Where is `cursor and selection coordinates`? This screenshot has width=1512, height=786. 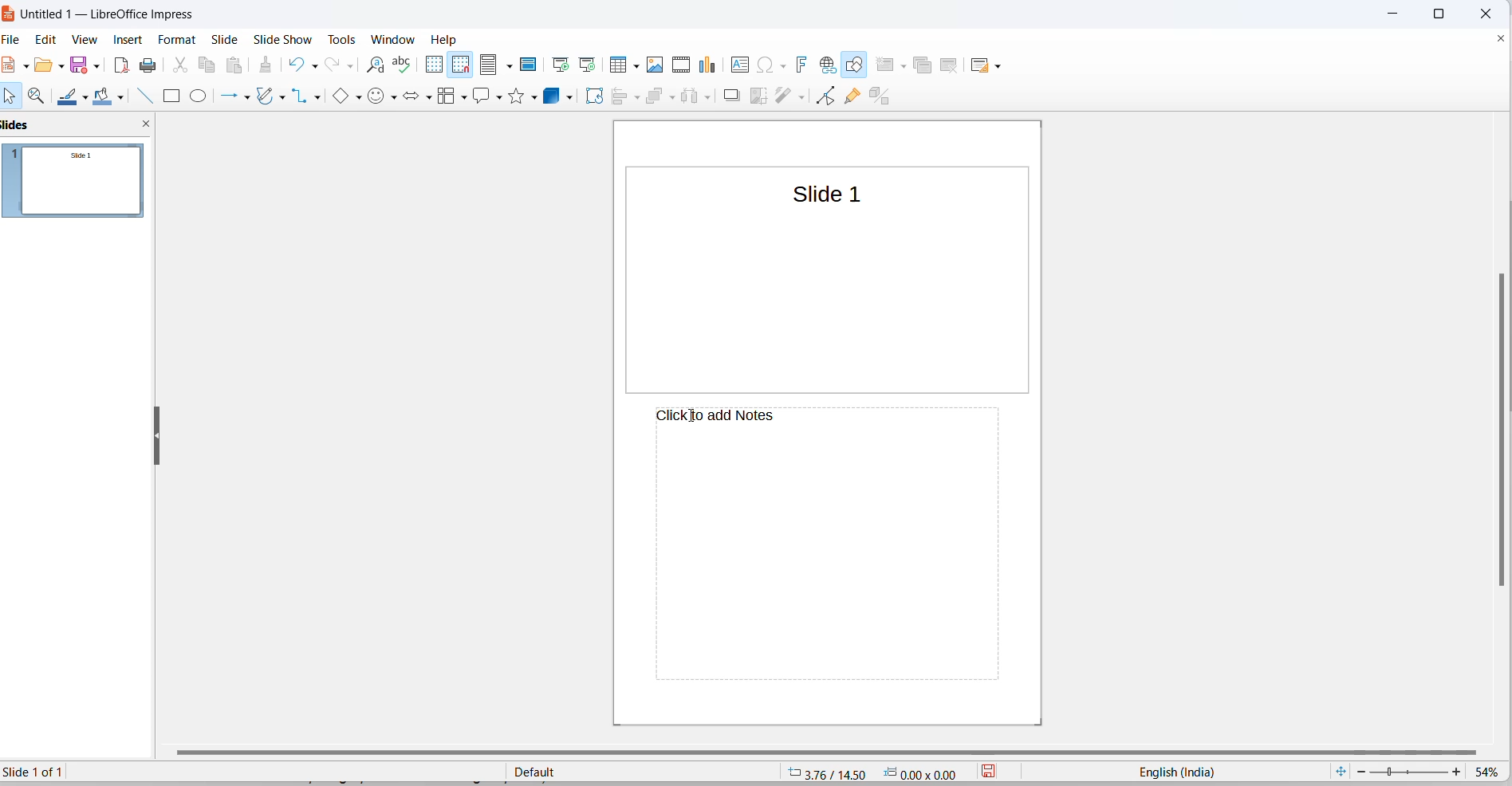 cursor and selection coordinates is located at coordinates (877, 772).